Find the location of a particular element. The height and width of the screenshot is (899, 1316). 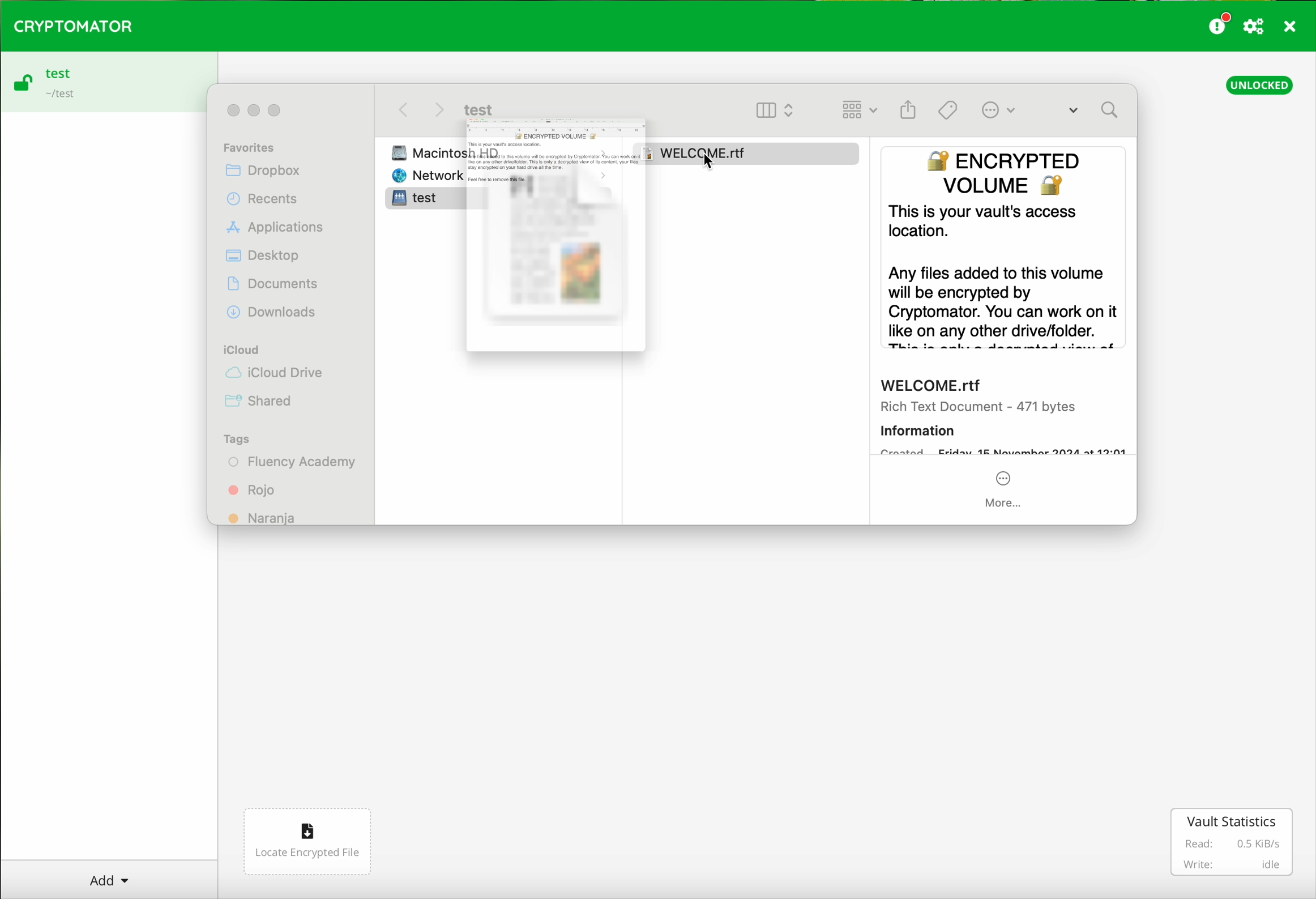

Favorites is located at coordinates (249, 146).